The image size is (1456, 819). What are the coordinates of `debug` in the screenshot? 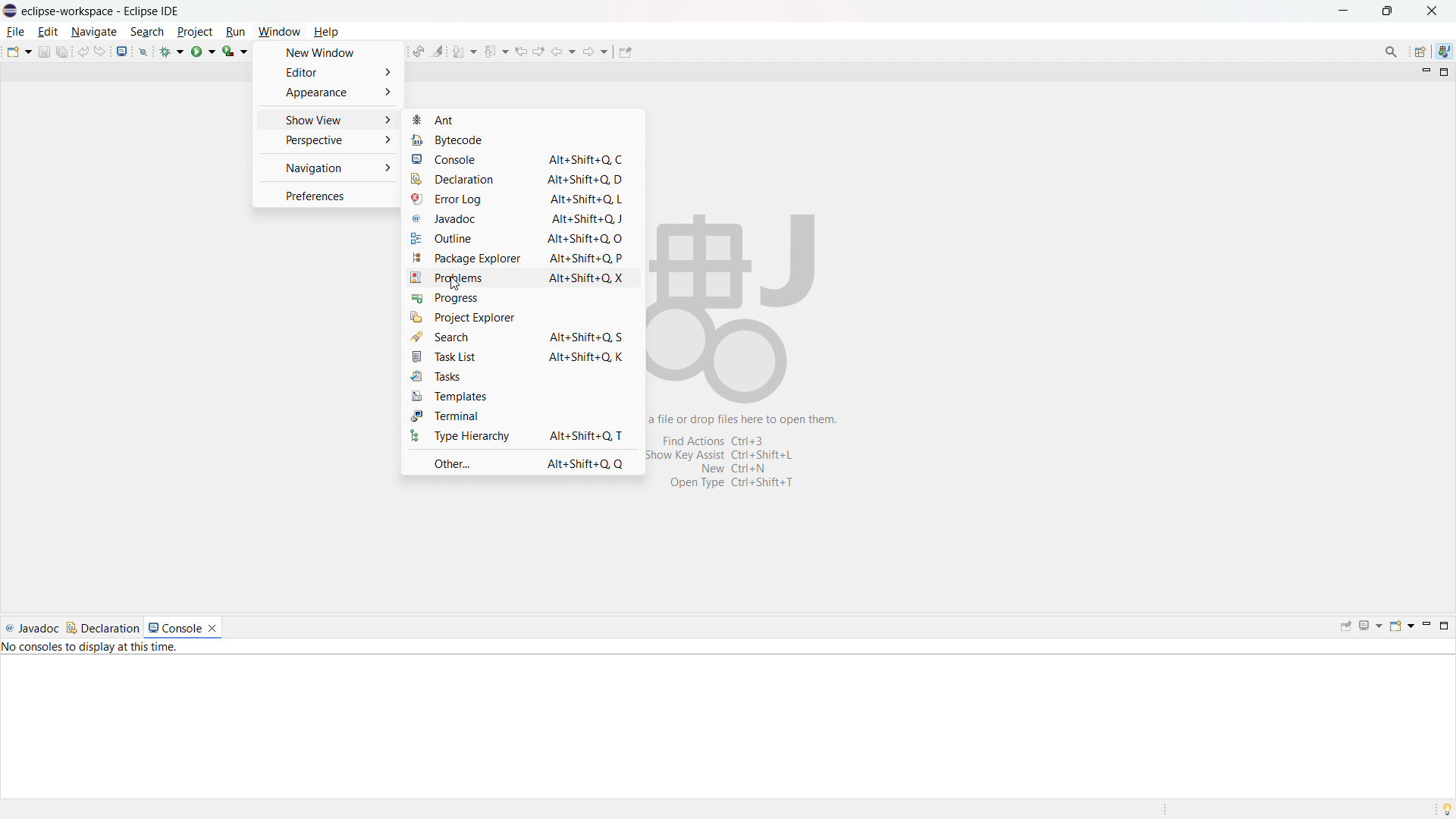 It's located at (172, 51).